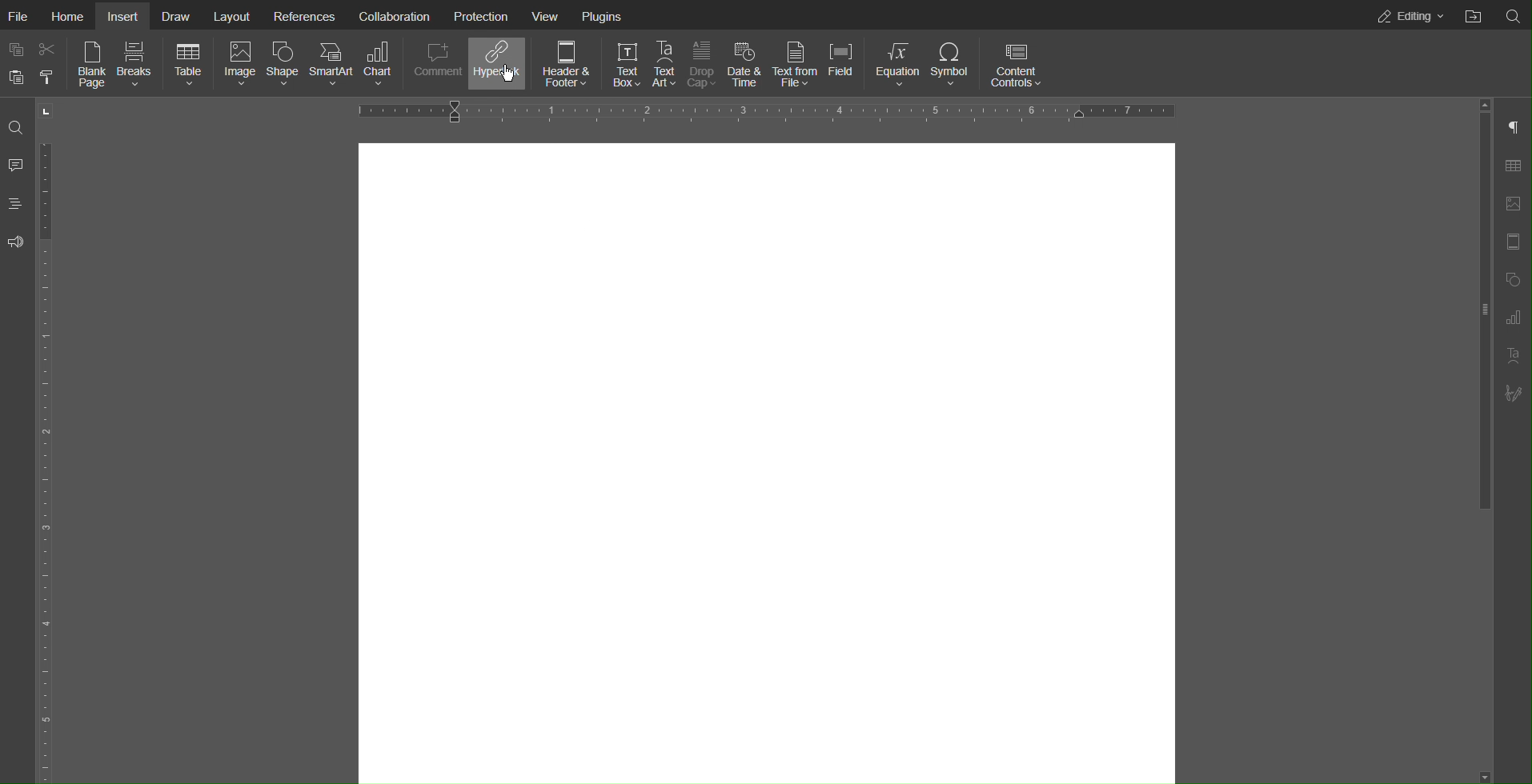 The height and width of the screenshot is (784, 1532). I want to click on Comment, so click(15, 165).